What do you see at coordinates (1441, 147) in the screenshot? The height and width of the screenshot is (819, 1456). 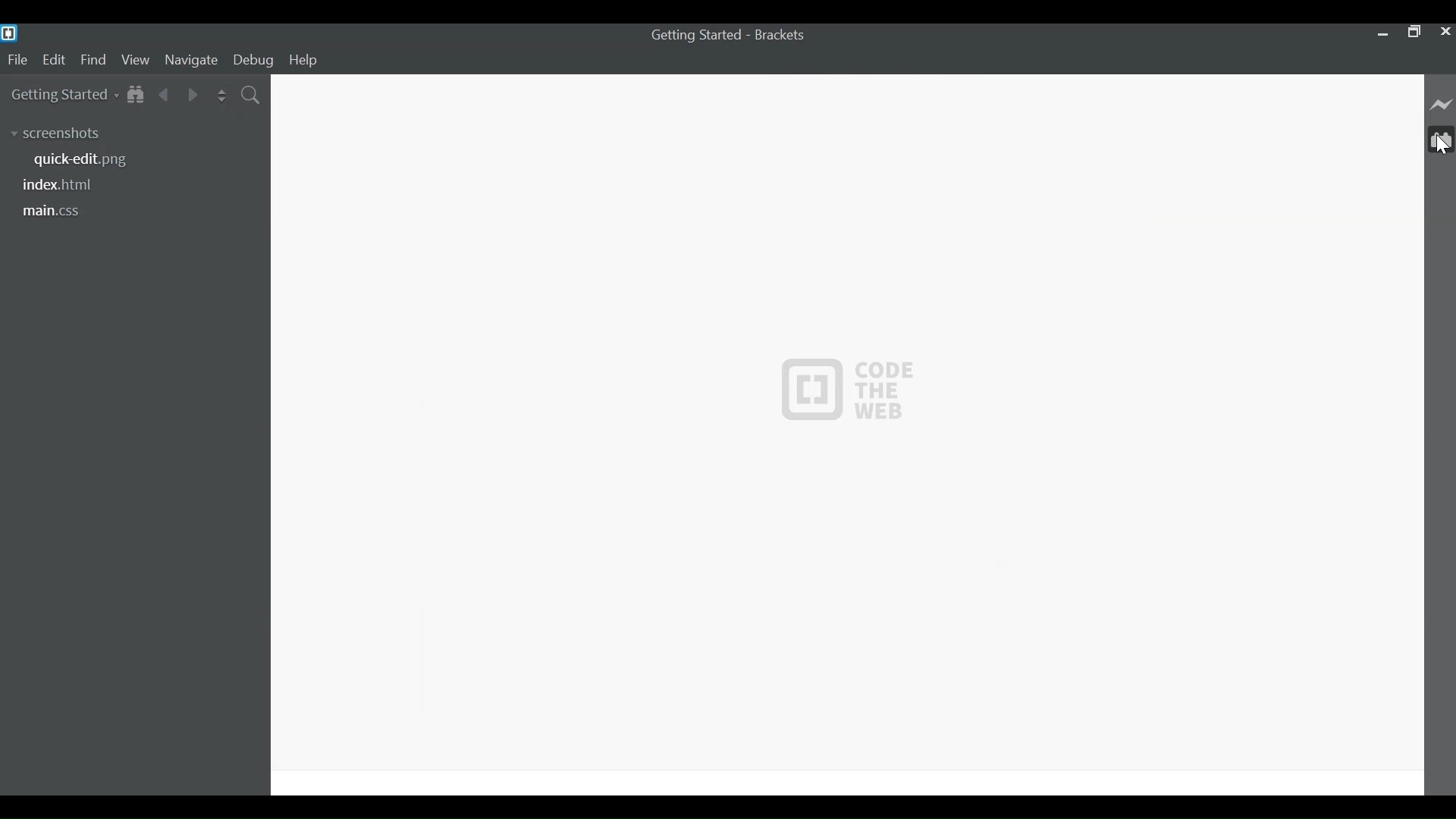 I see `Cursor` at bounding box center [1441, 147].